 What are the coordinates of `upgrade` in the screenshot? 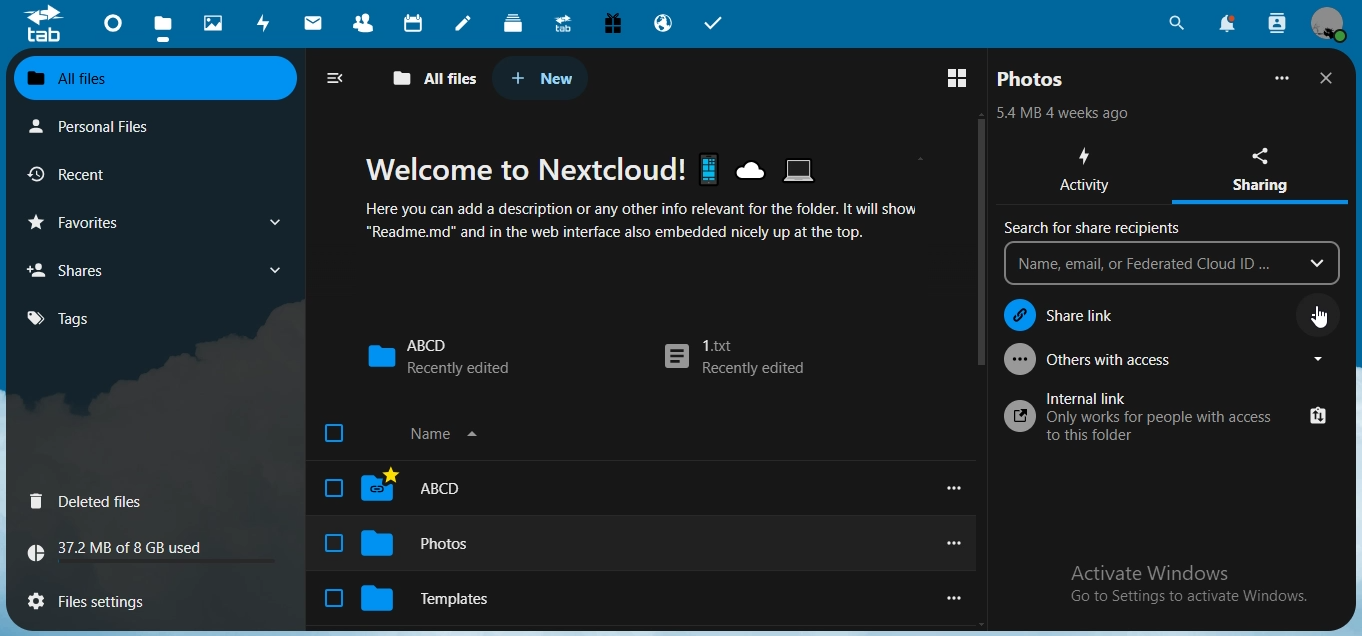 It's located at (567, 26).